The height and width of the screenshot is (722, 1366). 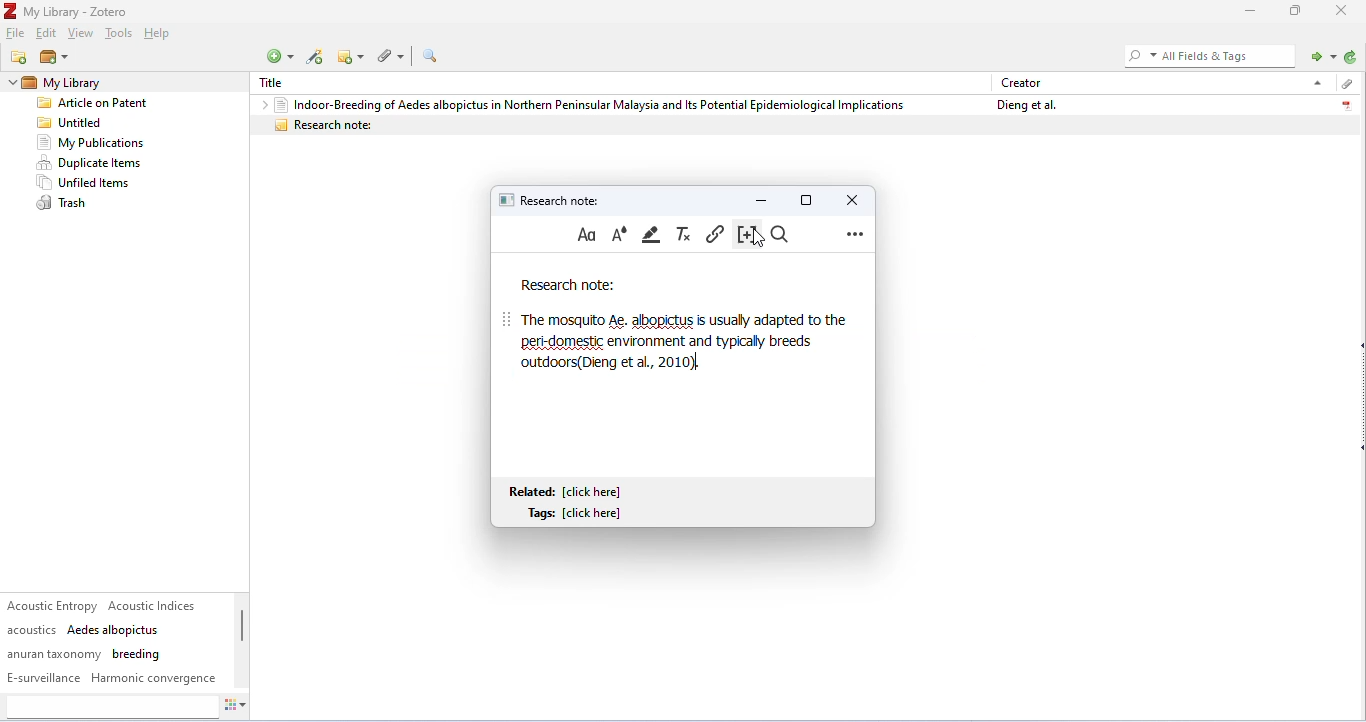 I want to click on drop down, so click(x=260, y=104).